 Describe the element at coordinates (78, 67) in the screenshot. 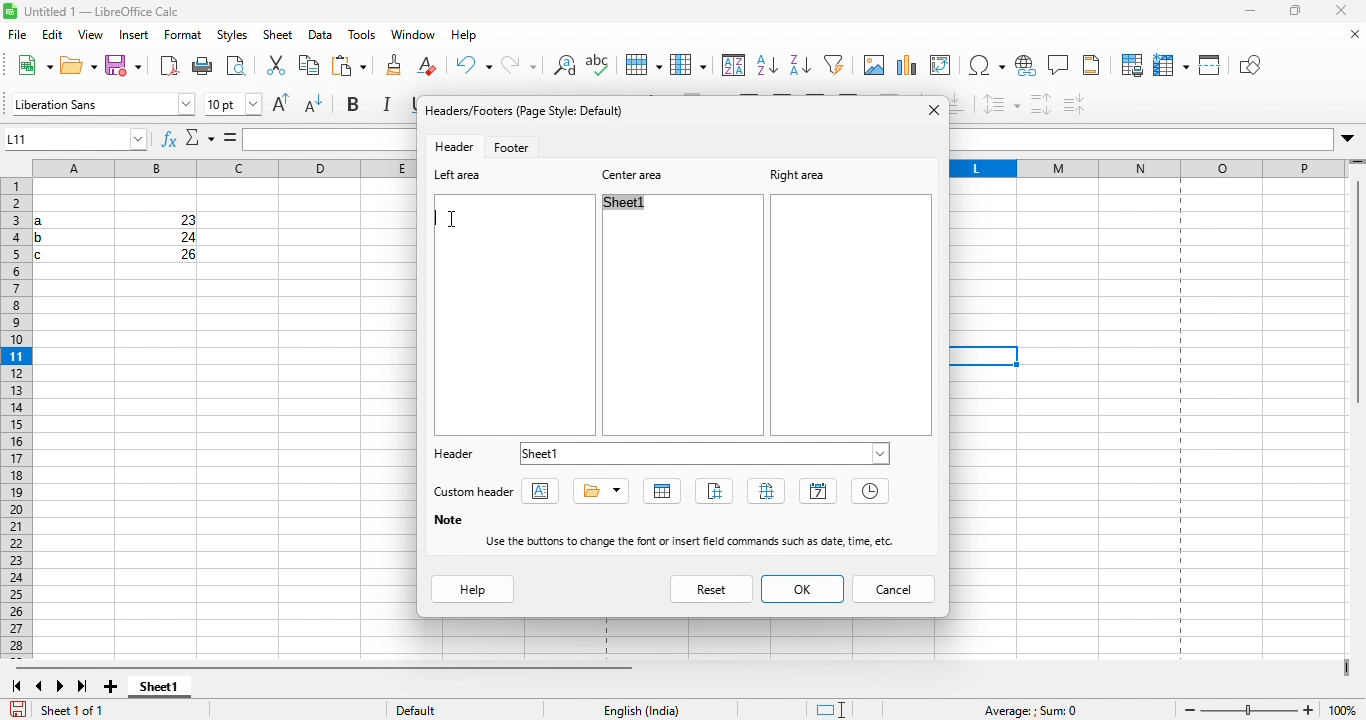

I see `open` at that location.